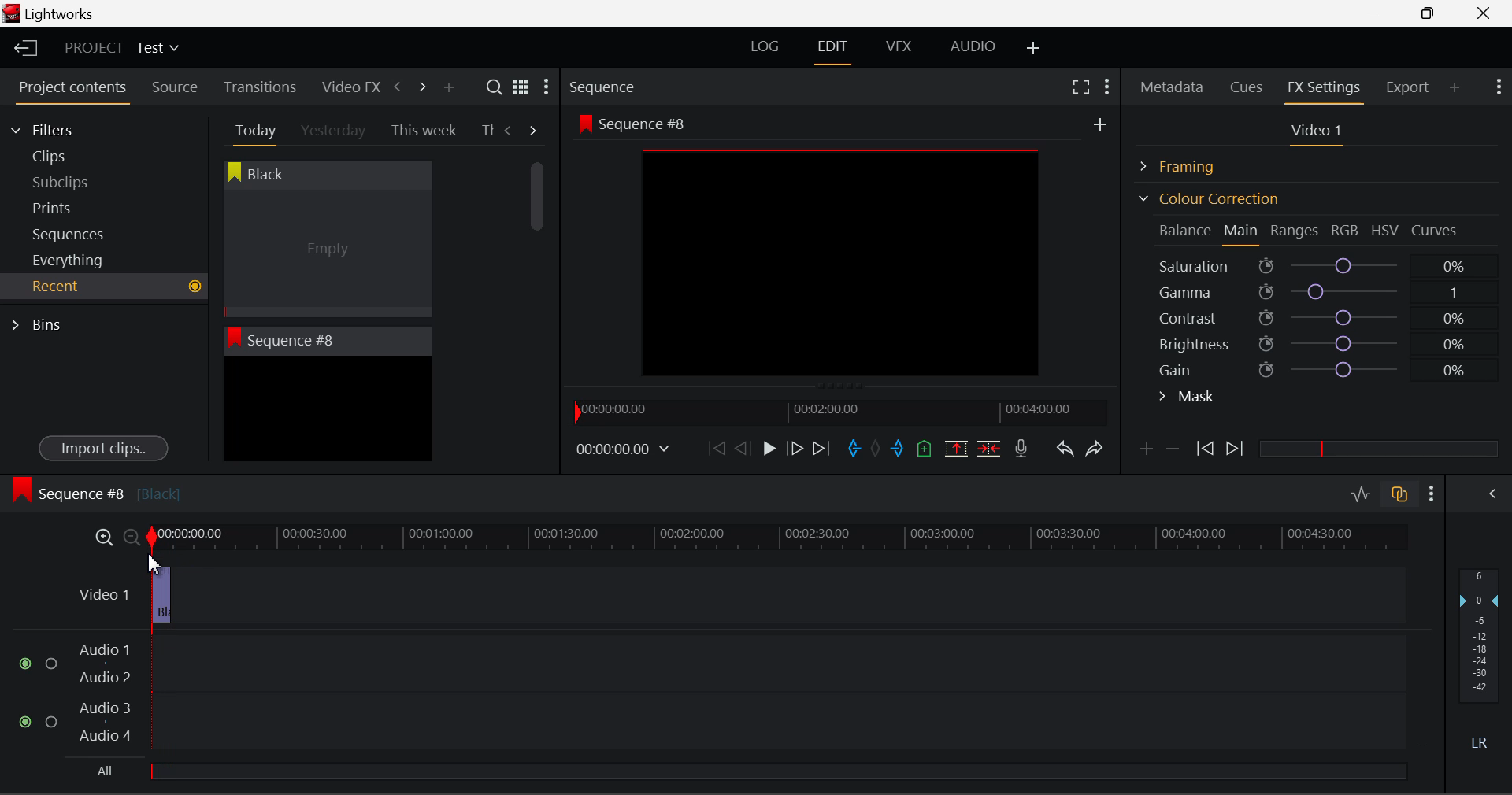 The image size is (1512, 795). What do you see at coordinates (57, 128) in the screenshot?
I see `Filters` at bounding box center [57, 128].